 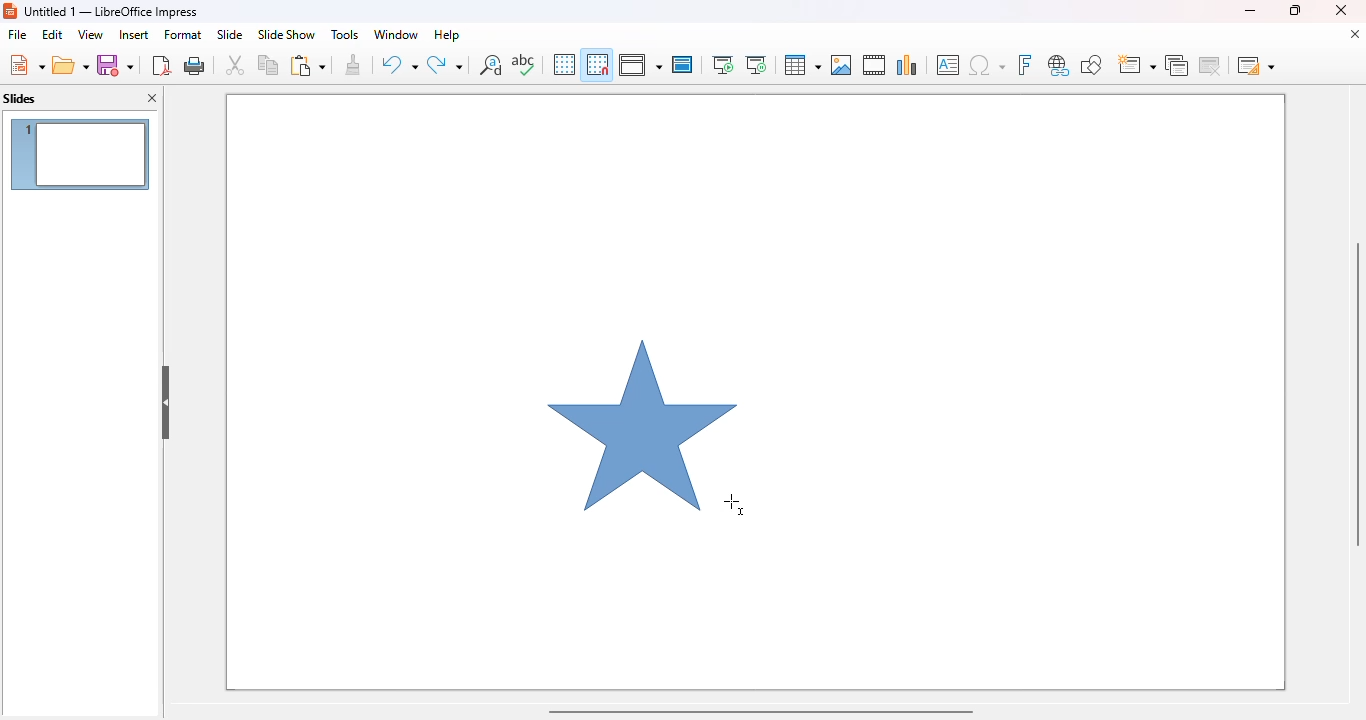 What do you see at coordinates (1256, 65) in the screenshot?
I see `slide layout` at bounding box center [1256, 65].